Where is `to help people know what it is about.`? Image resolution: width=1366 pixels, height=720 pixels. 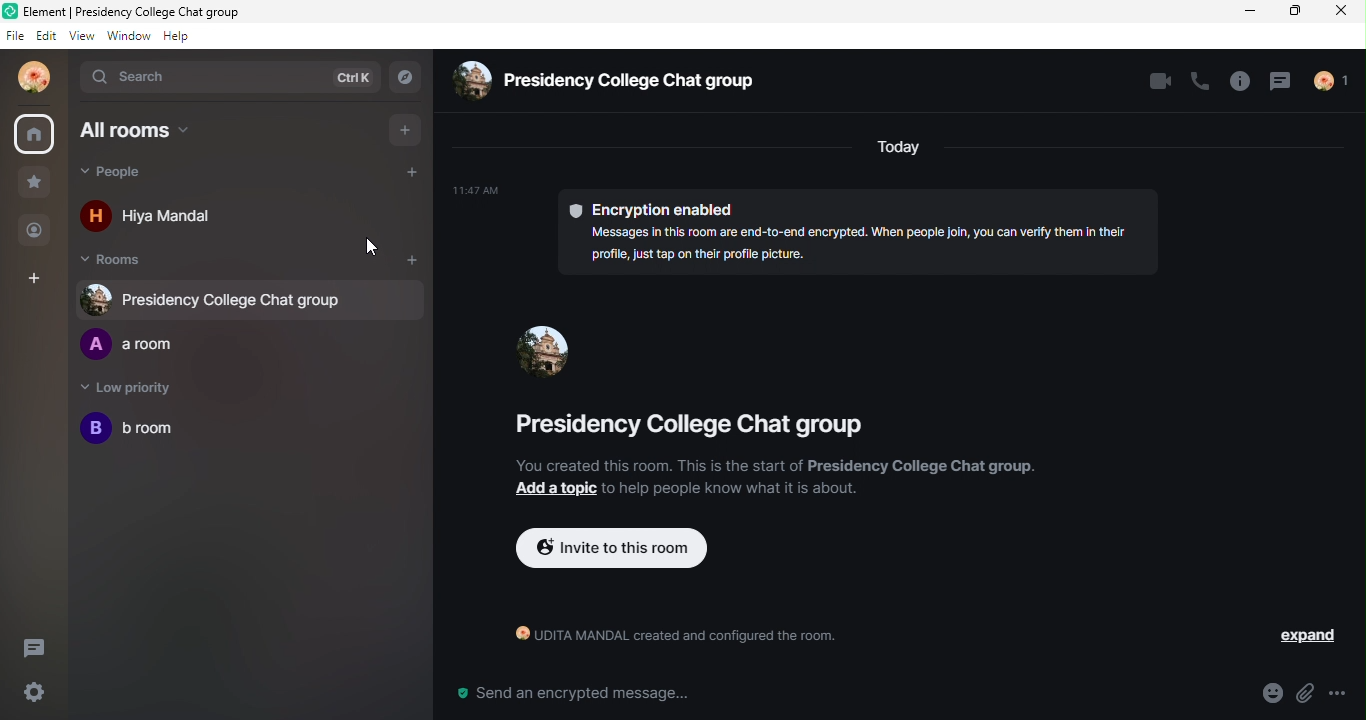
to help people know what it is about. is located at coordinates (733, 488).